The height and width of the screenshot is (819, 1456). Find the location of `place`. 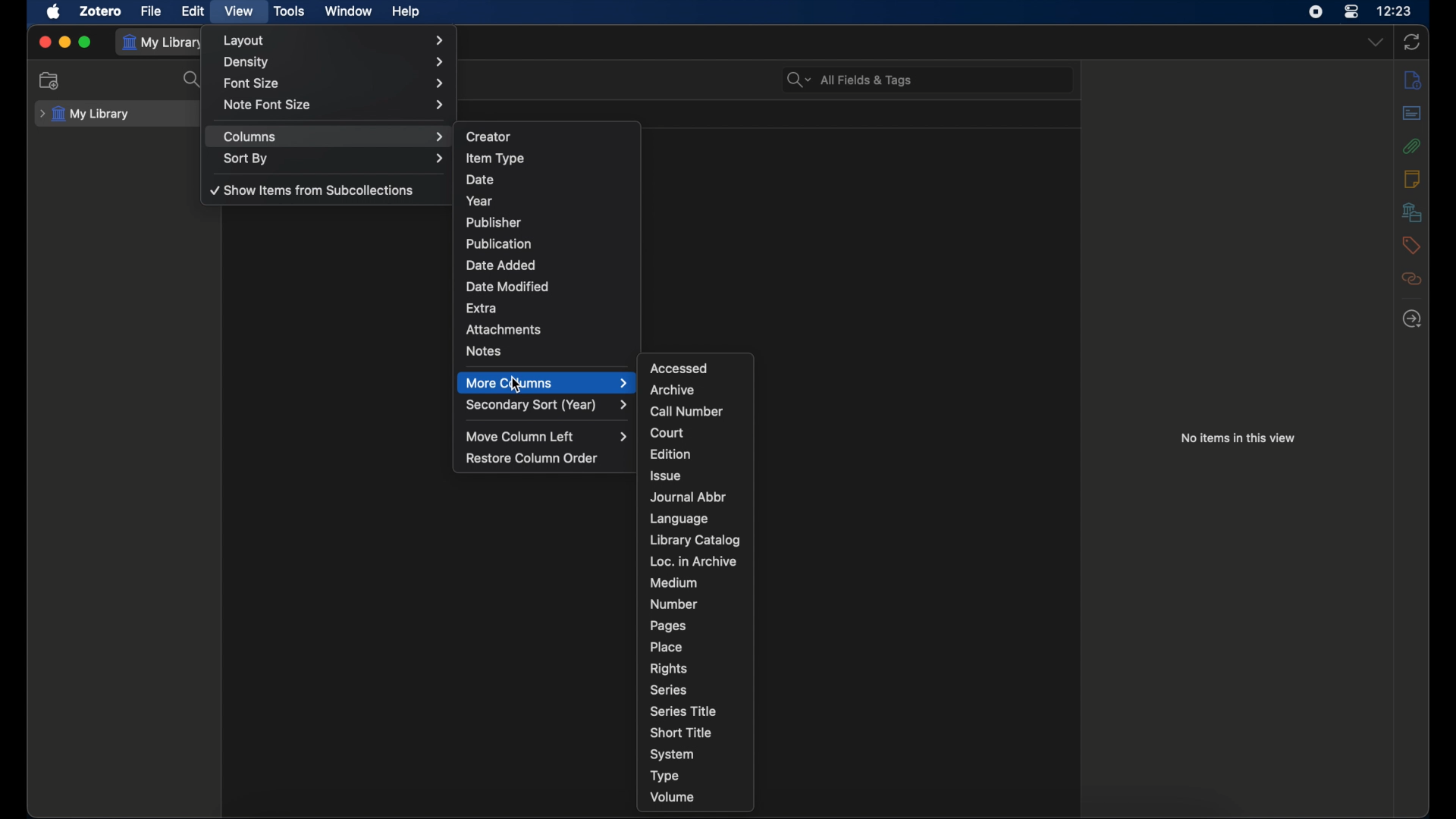

place is located at coordinates (668, 646).